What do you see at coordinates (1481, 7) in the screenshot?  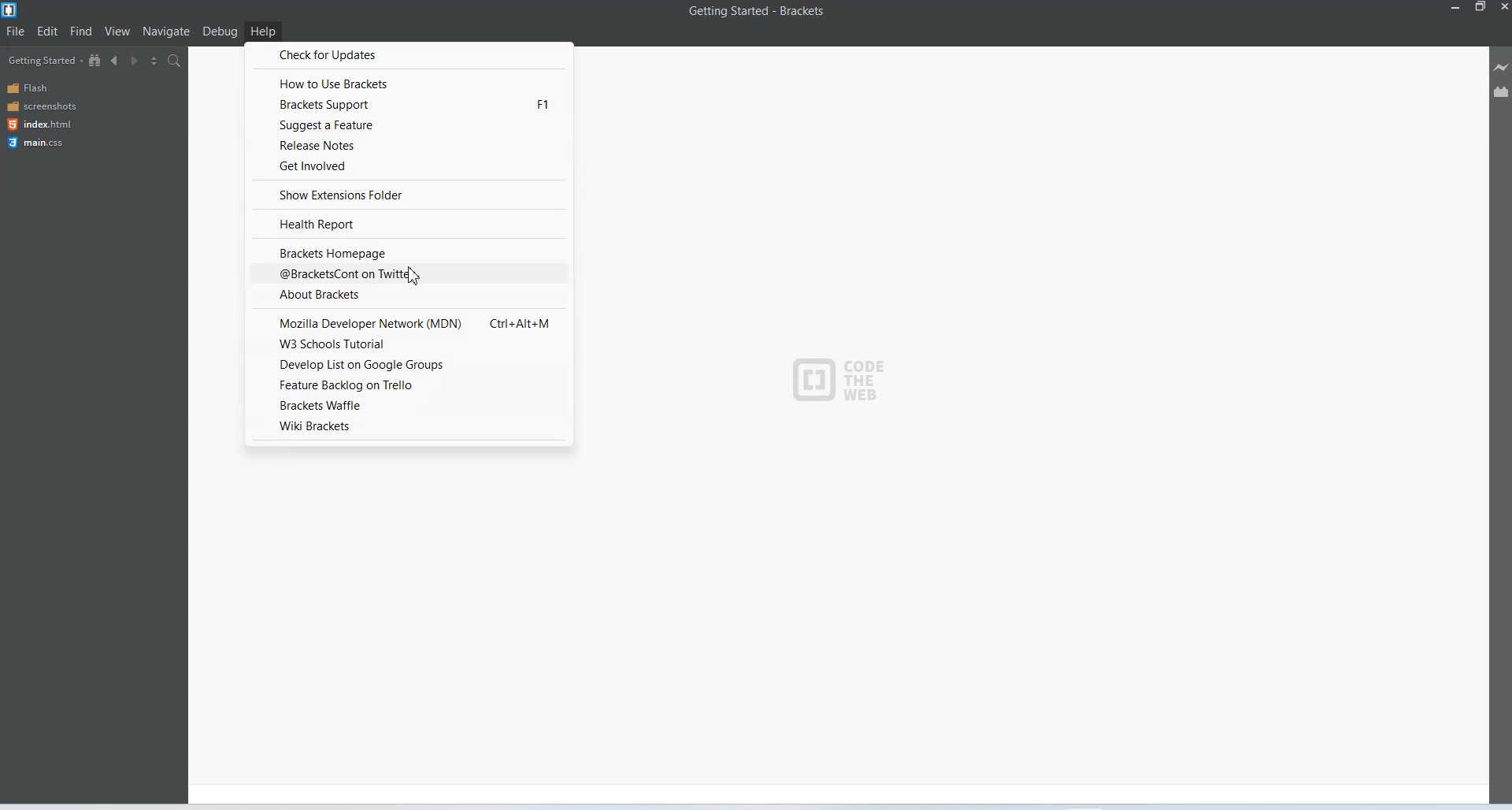 I see `Maximize` at bounding box center [1481, 7].